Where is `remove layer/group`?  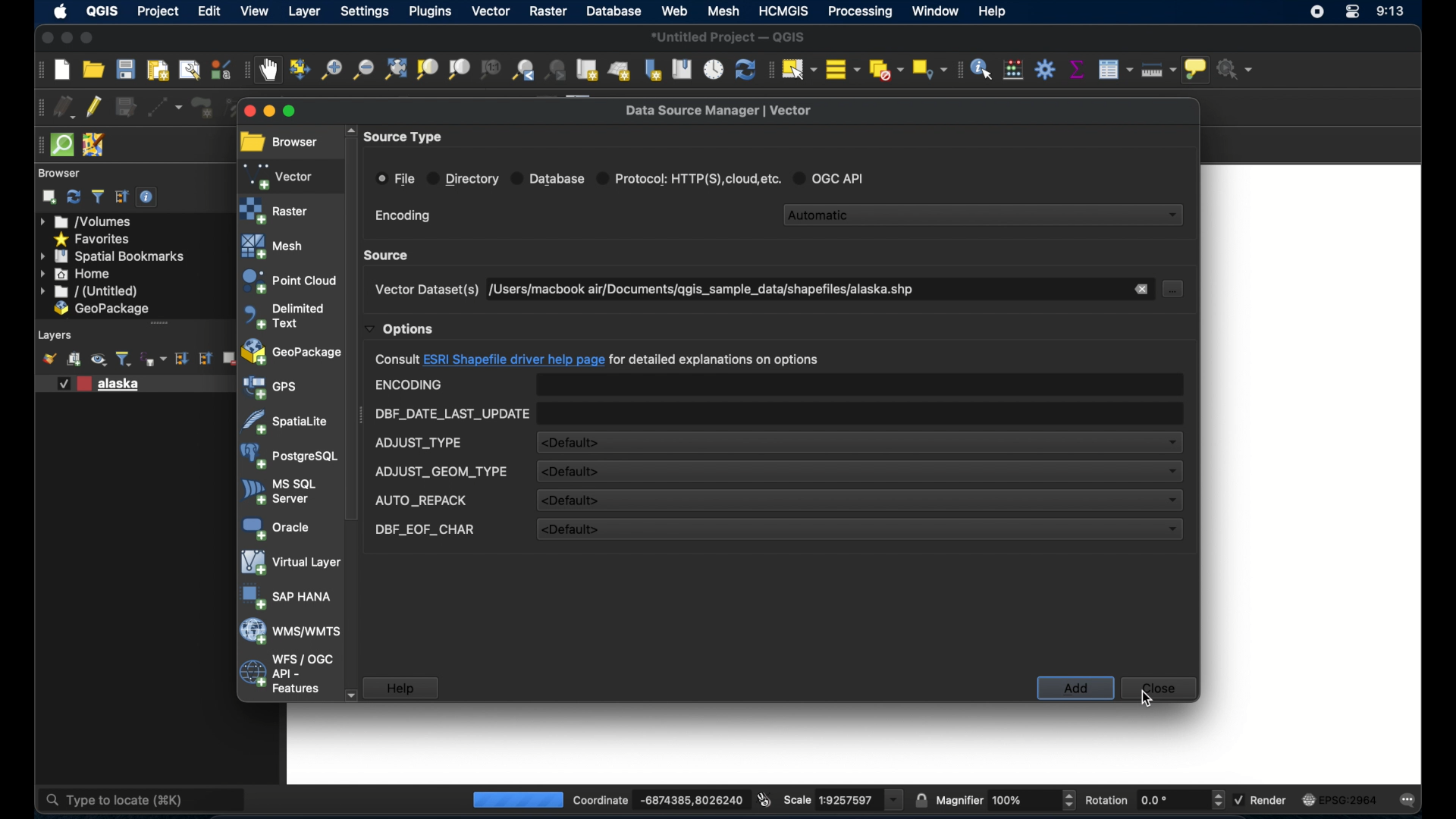 remove layer/group is located at coordinates (231, 359).